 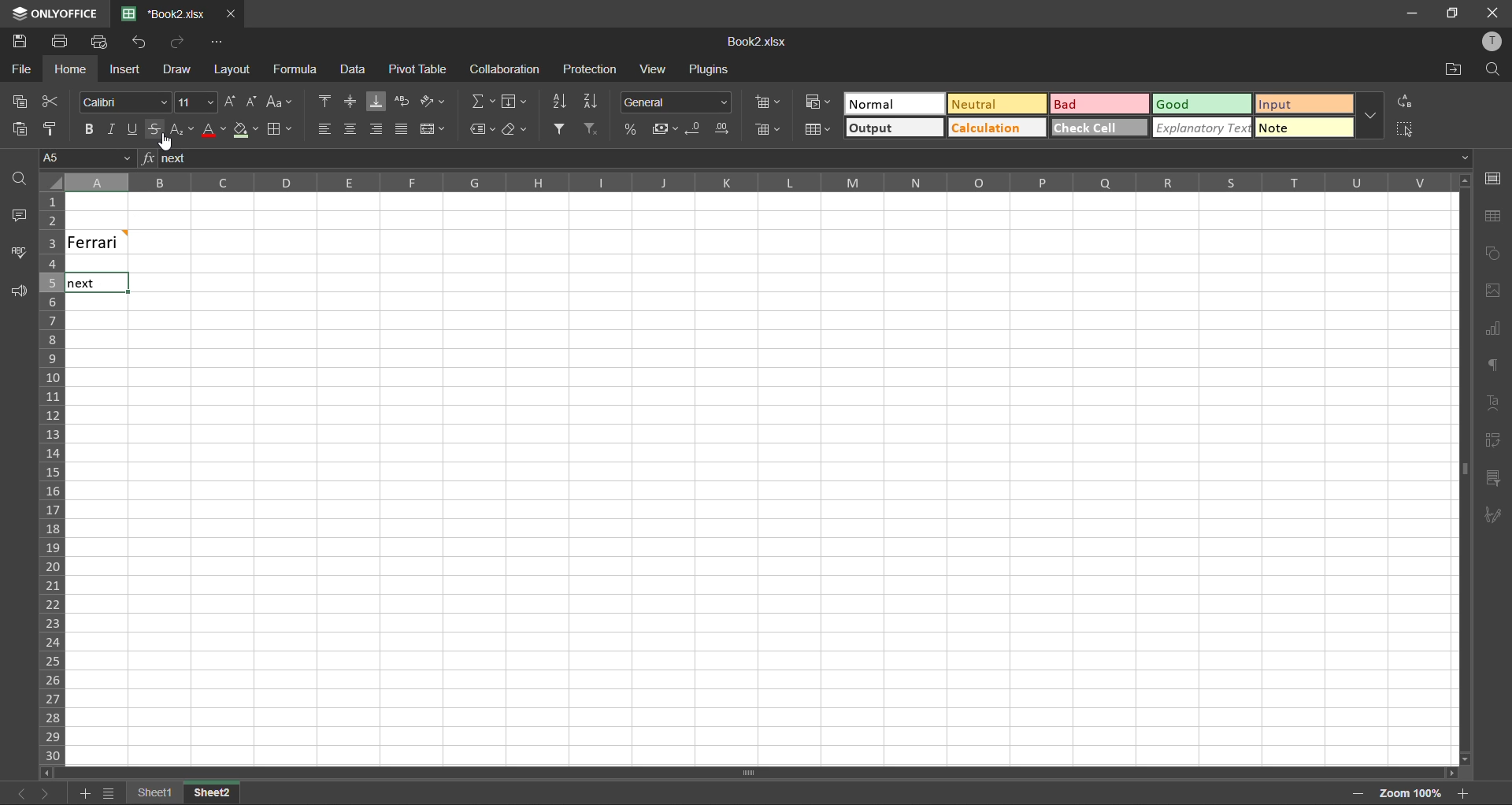 I want to click on paste, so click(x=21, y=129).